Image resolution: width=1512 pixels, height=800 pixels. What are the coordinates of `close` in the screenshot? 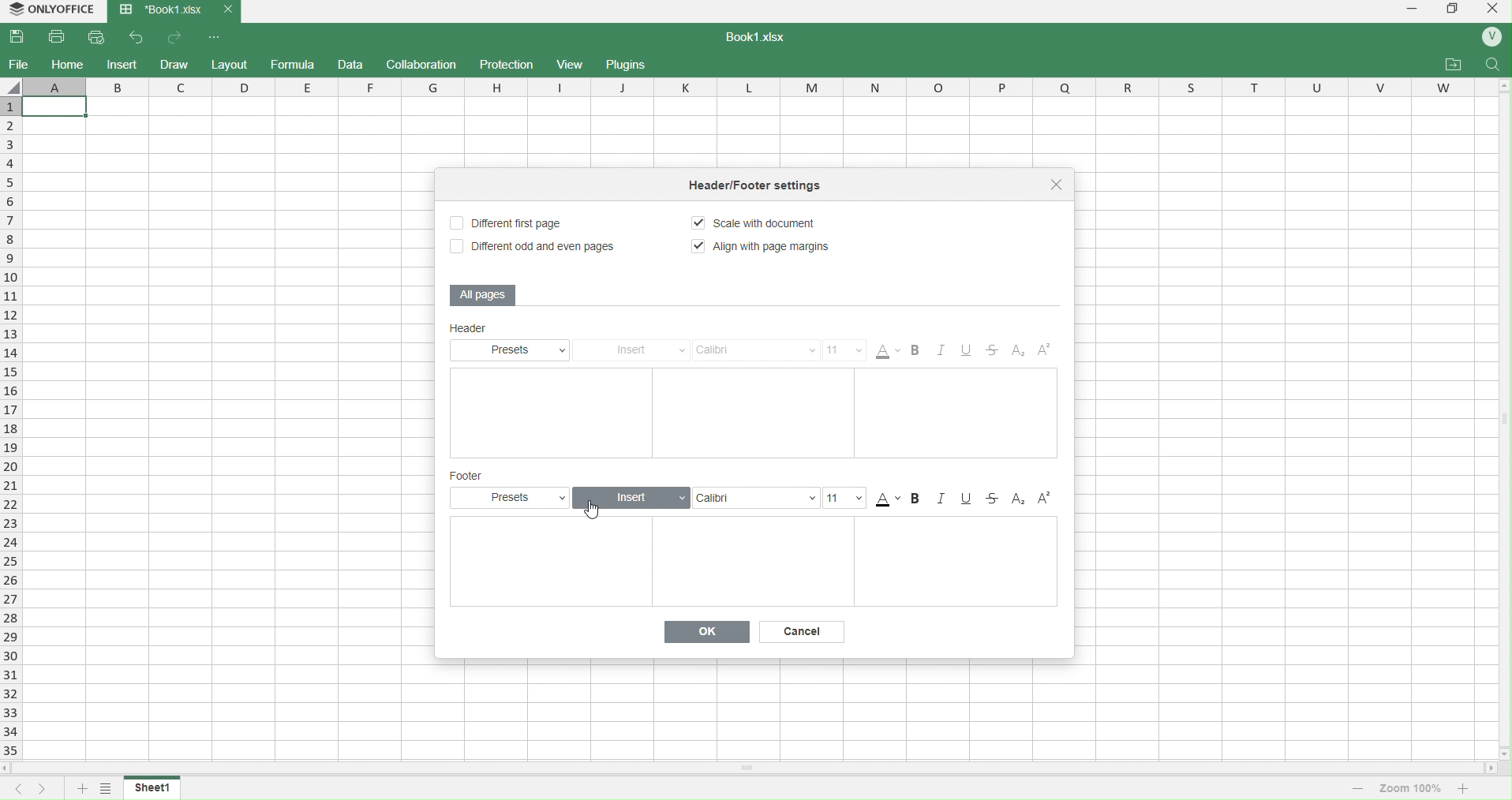 It's located at (1059, 185).